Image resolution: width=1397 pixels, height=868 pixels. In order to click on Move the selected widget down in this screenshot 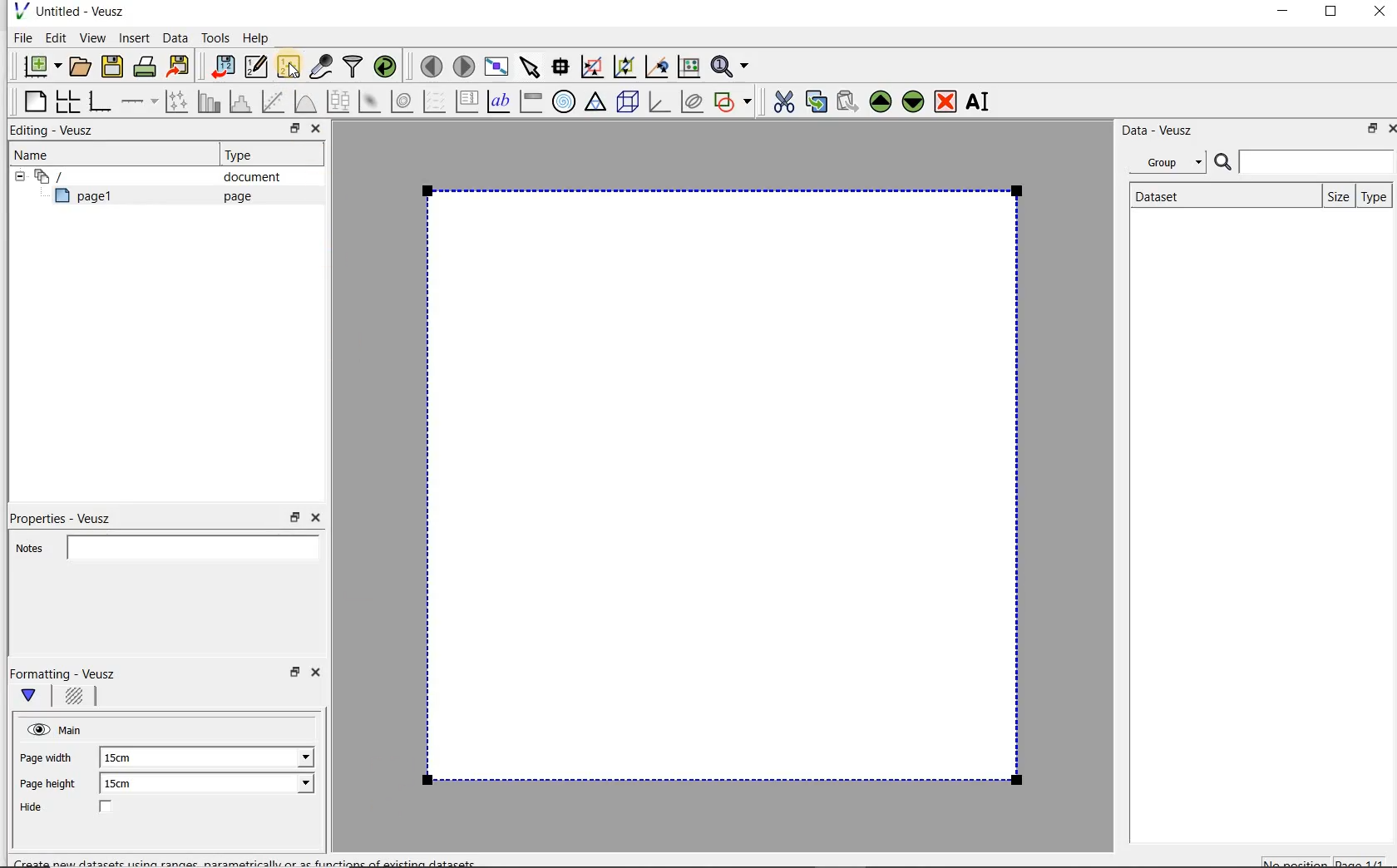, I will do `click(914, 101)`.